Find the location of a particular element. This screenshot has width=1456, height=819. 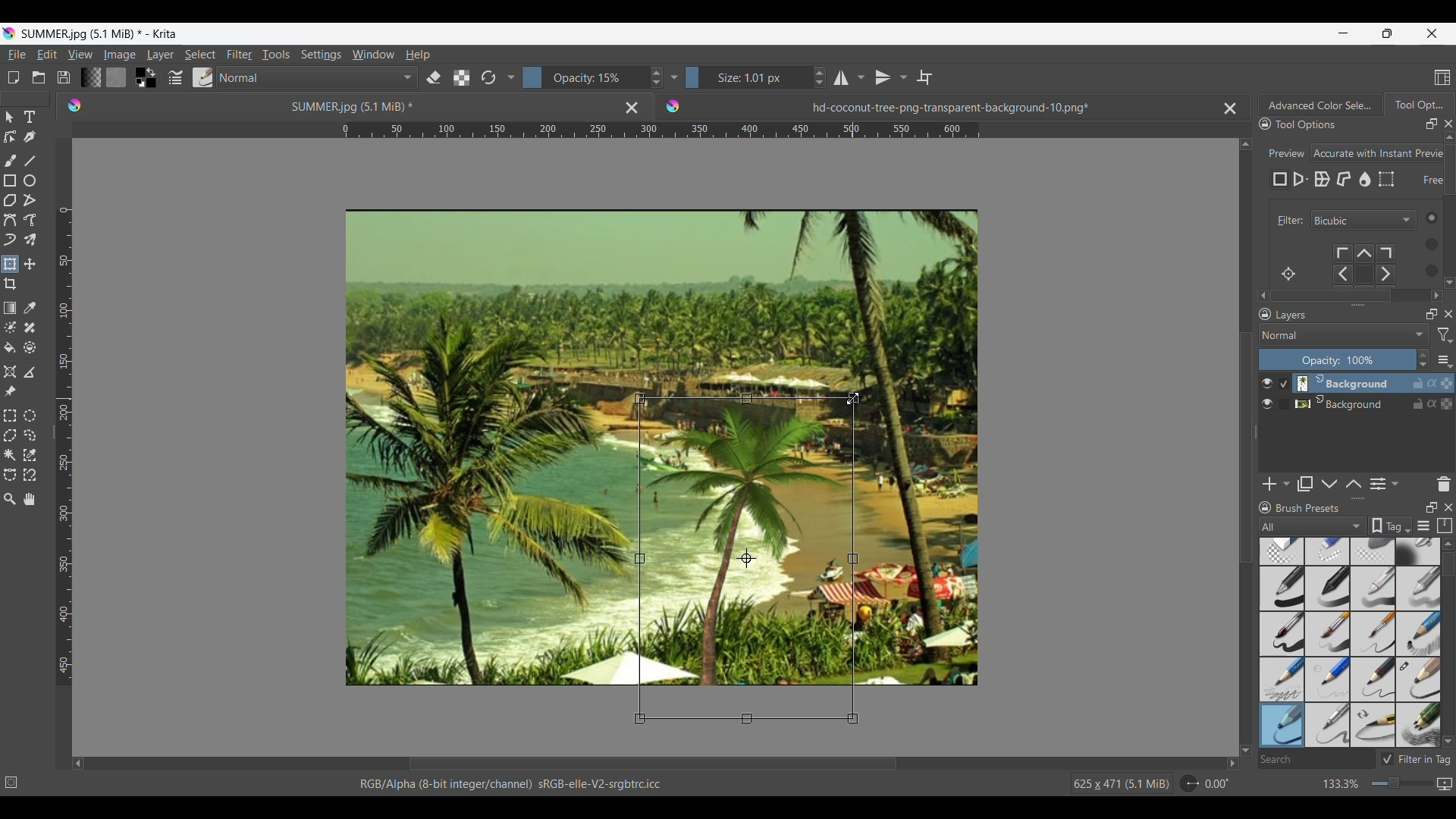

Horizontal scrollbar is located at coordinates (1351, 296).